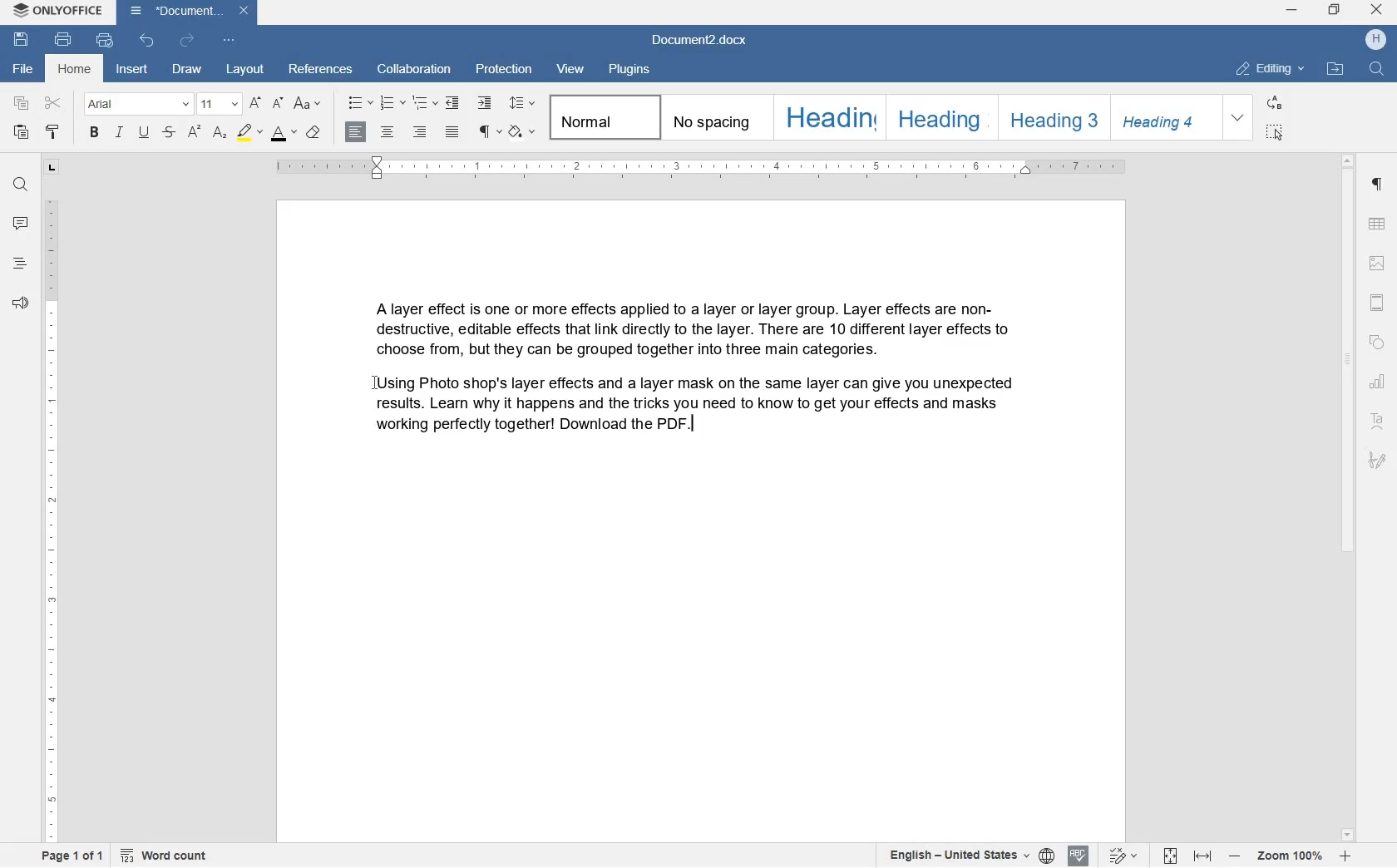 The image size is (1397, 868). Describe the element at coordinates (1376, 422) in the screenshot. I see `TEXT ART` at that location.